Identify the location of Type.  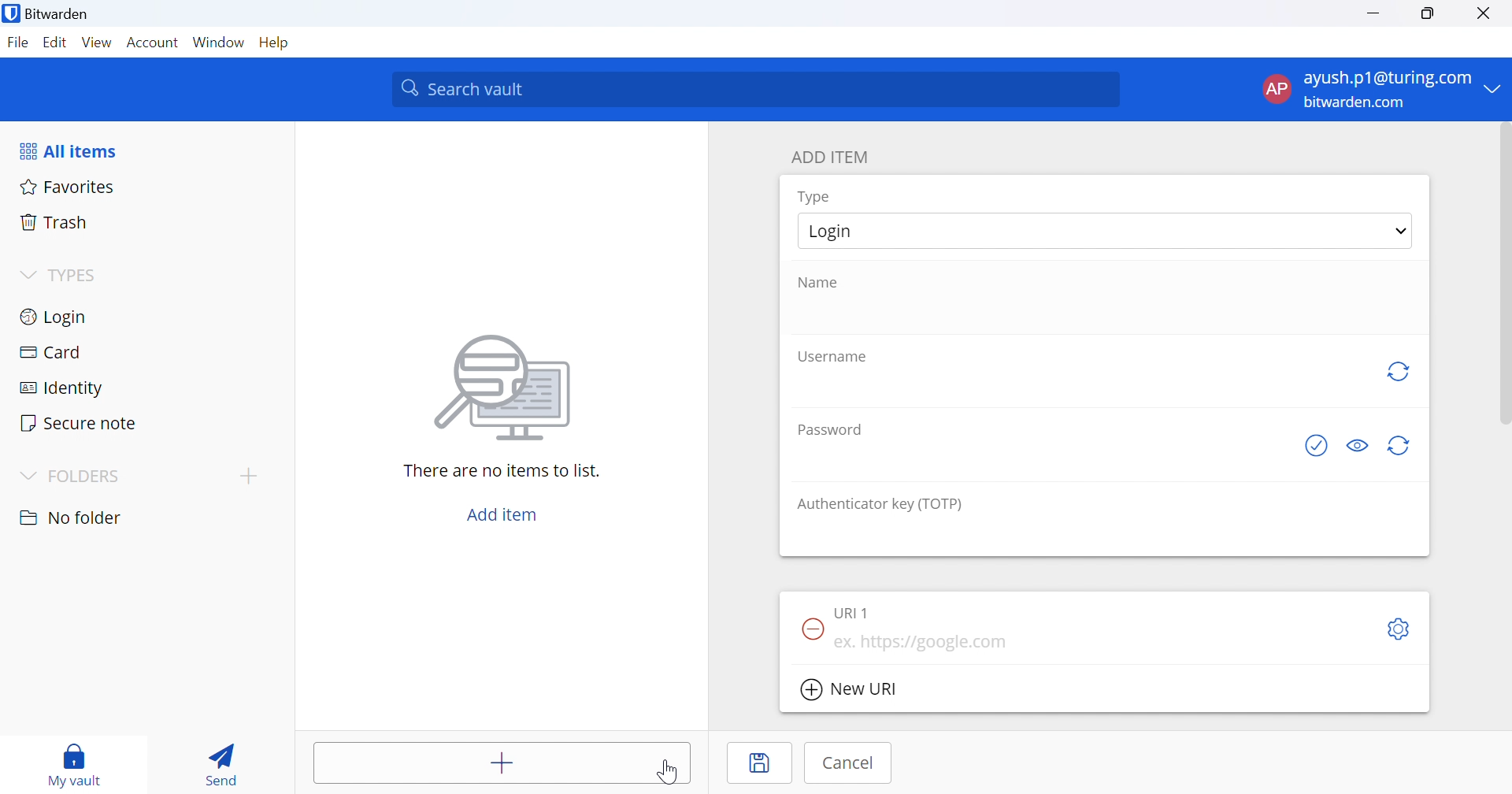
(815, 197).